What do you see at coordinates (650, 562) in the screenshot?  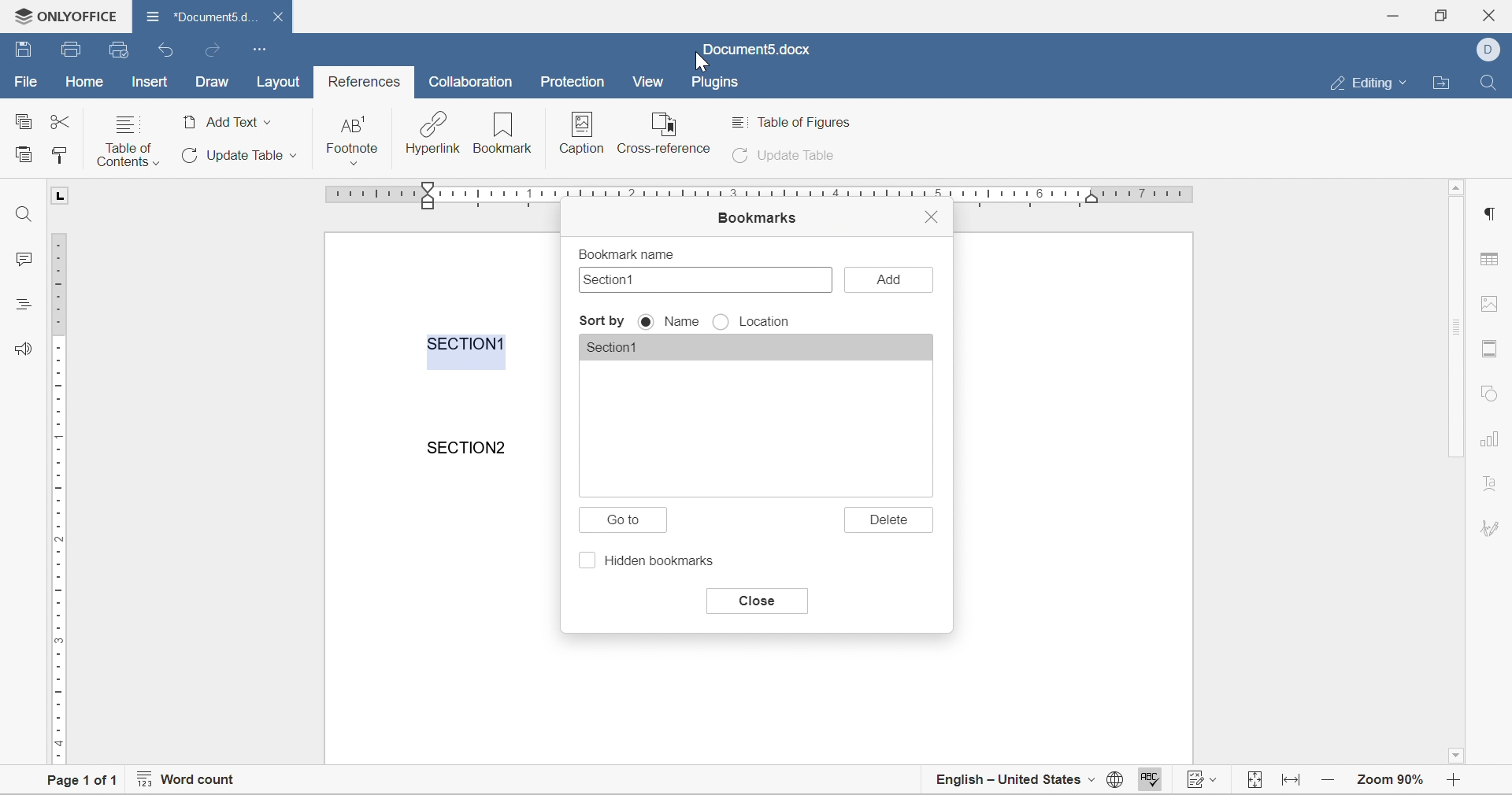 I see `hidden bookmarks` at bounding box center [650, 562].